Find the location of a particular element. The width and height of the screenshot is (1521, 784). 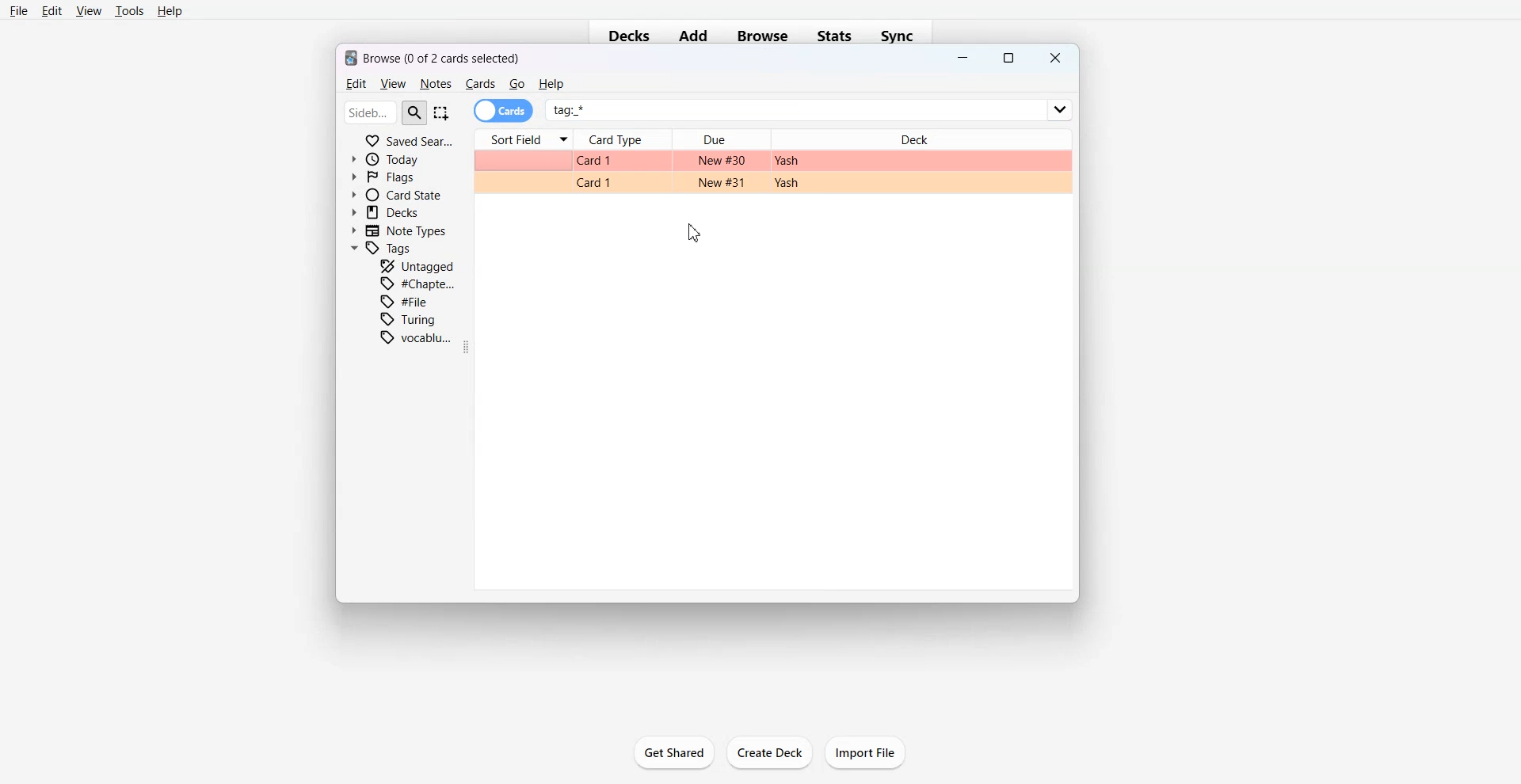

Deck is located at coordinates (920, 135).